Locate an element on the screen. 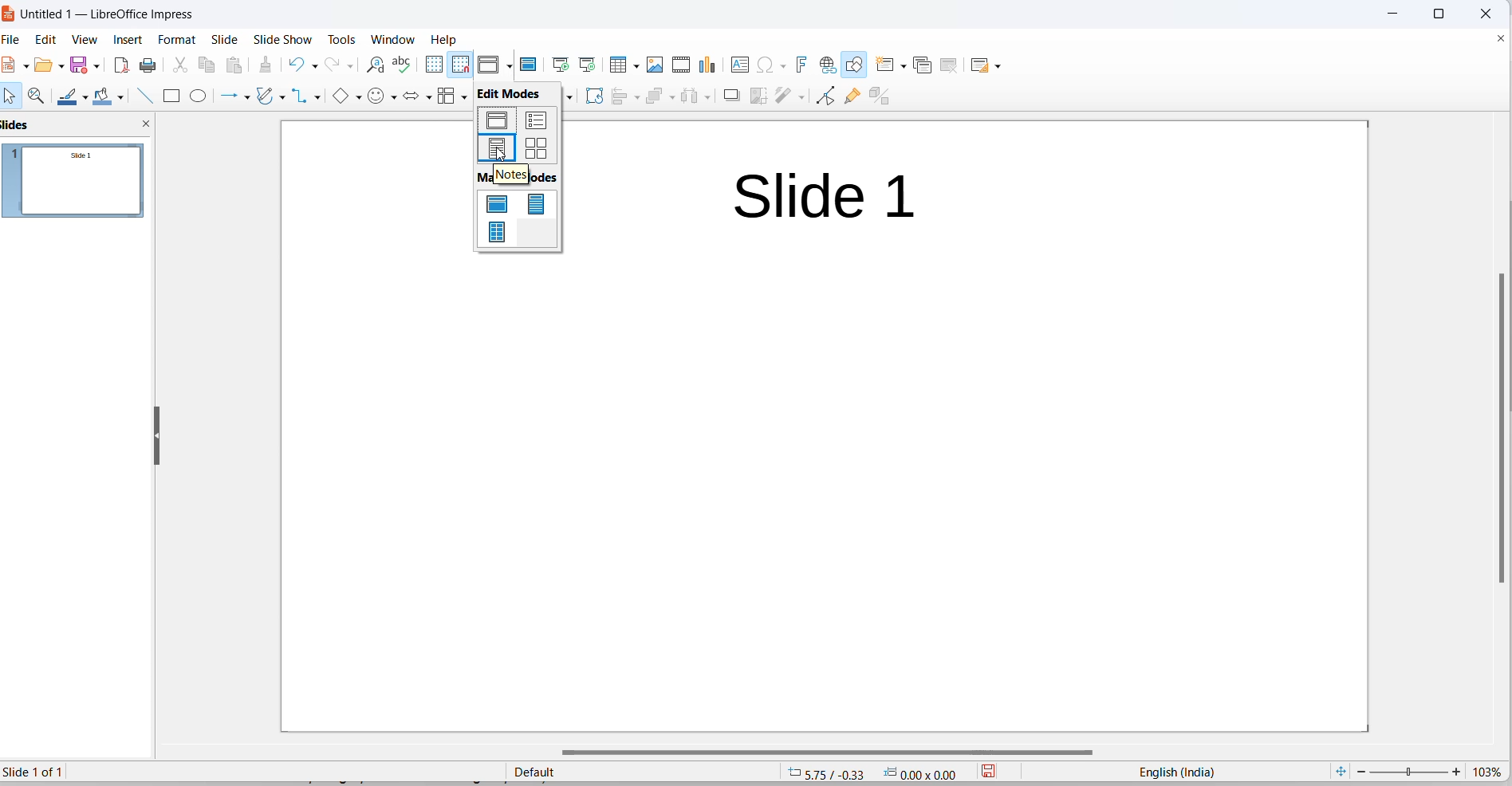 Image resolution: width=1512 pixels, height=786 pixels. slide layout is located at coordinates (982, 64).